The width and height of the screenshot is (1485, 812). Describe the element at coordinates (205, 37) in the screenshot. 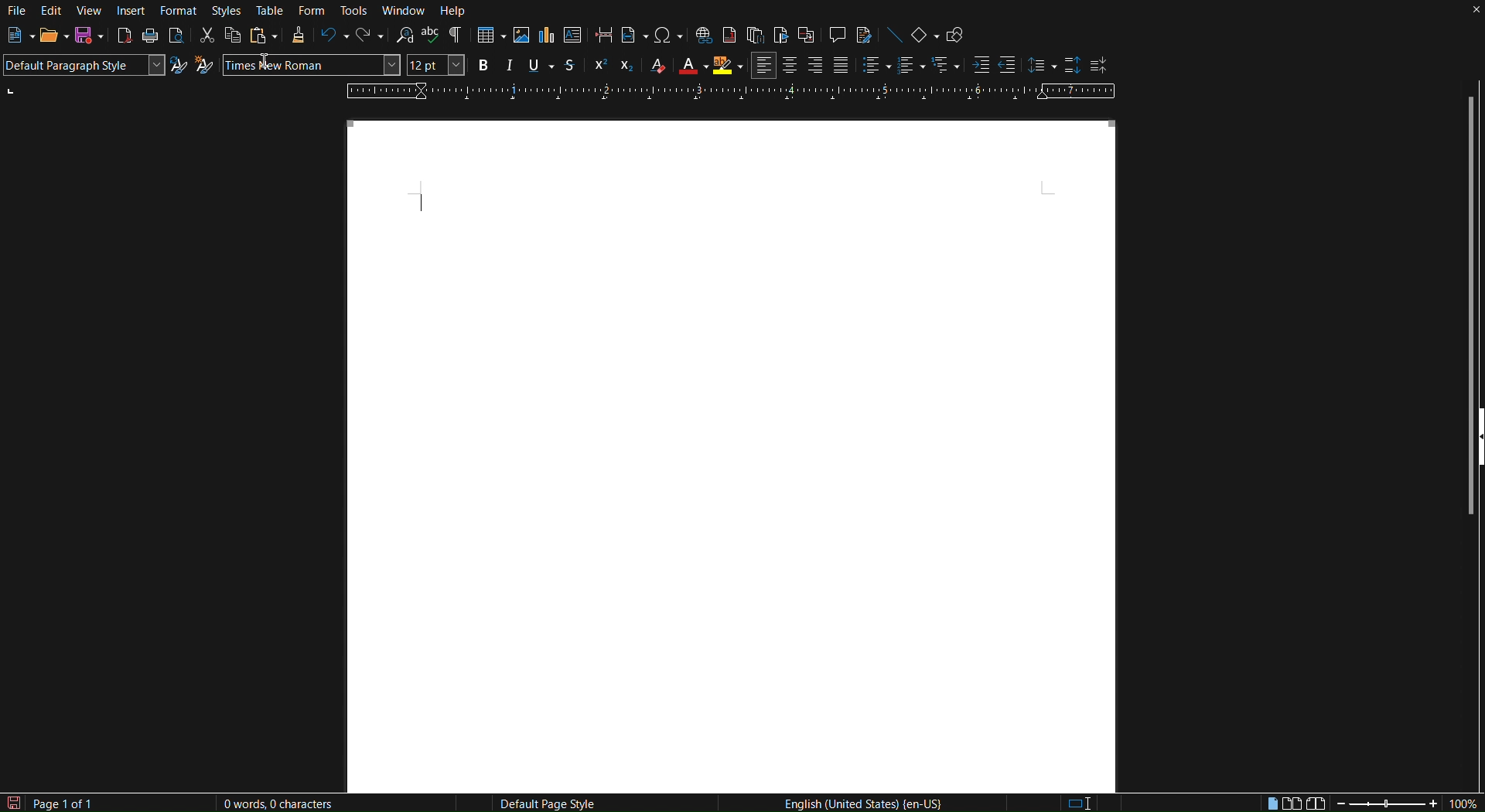

I see `Cut` at that location.